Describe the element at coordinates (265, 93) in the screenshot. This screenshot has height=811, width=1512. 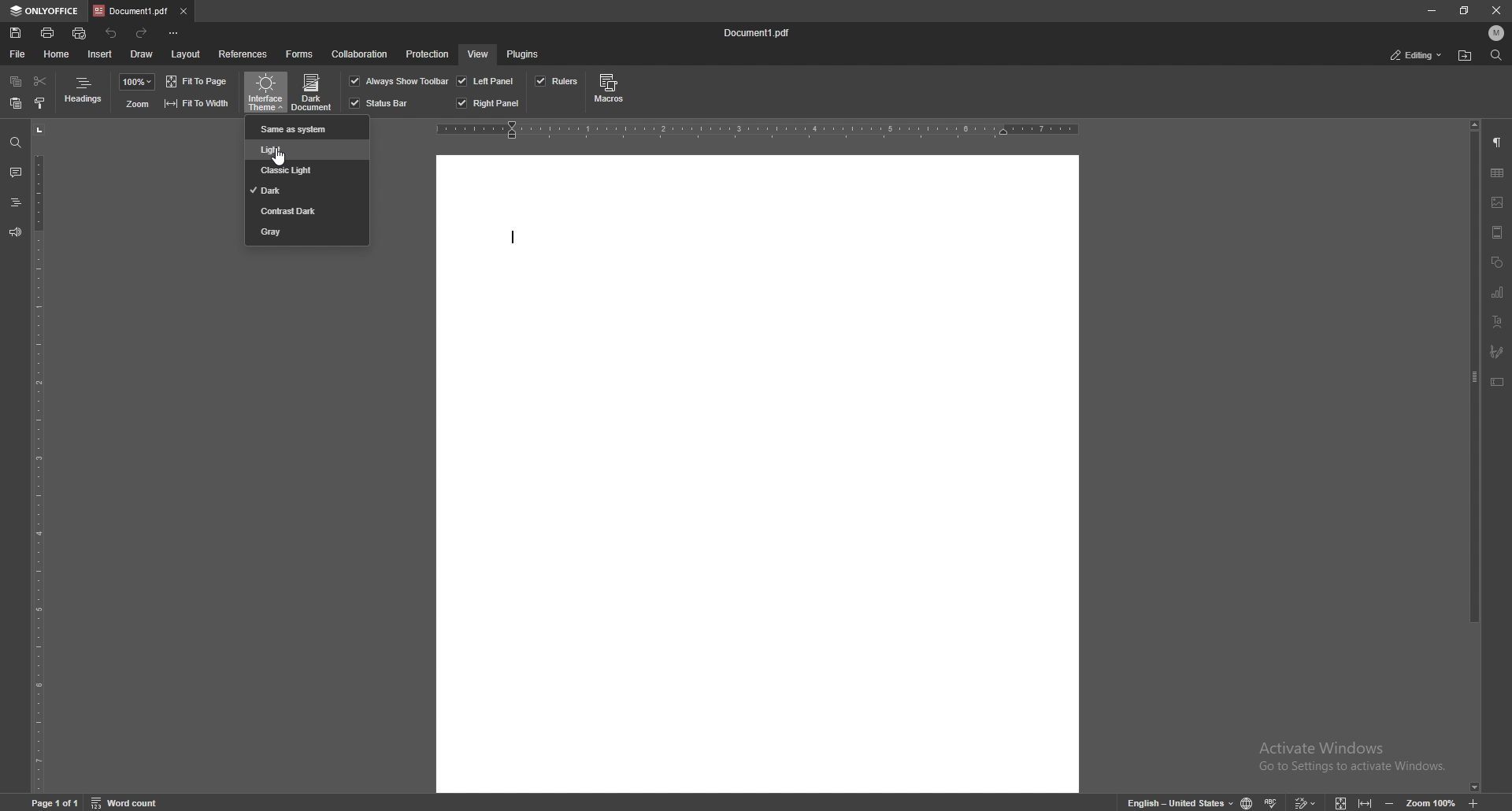
I see `interface theme` at that location.